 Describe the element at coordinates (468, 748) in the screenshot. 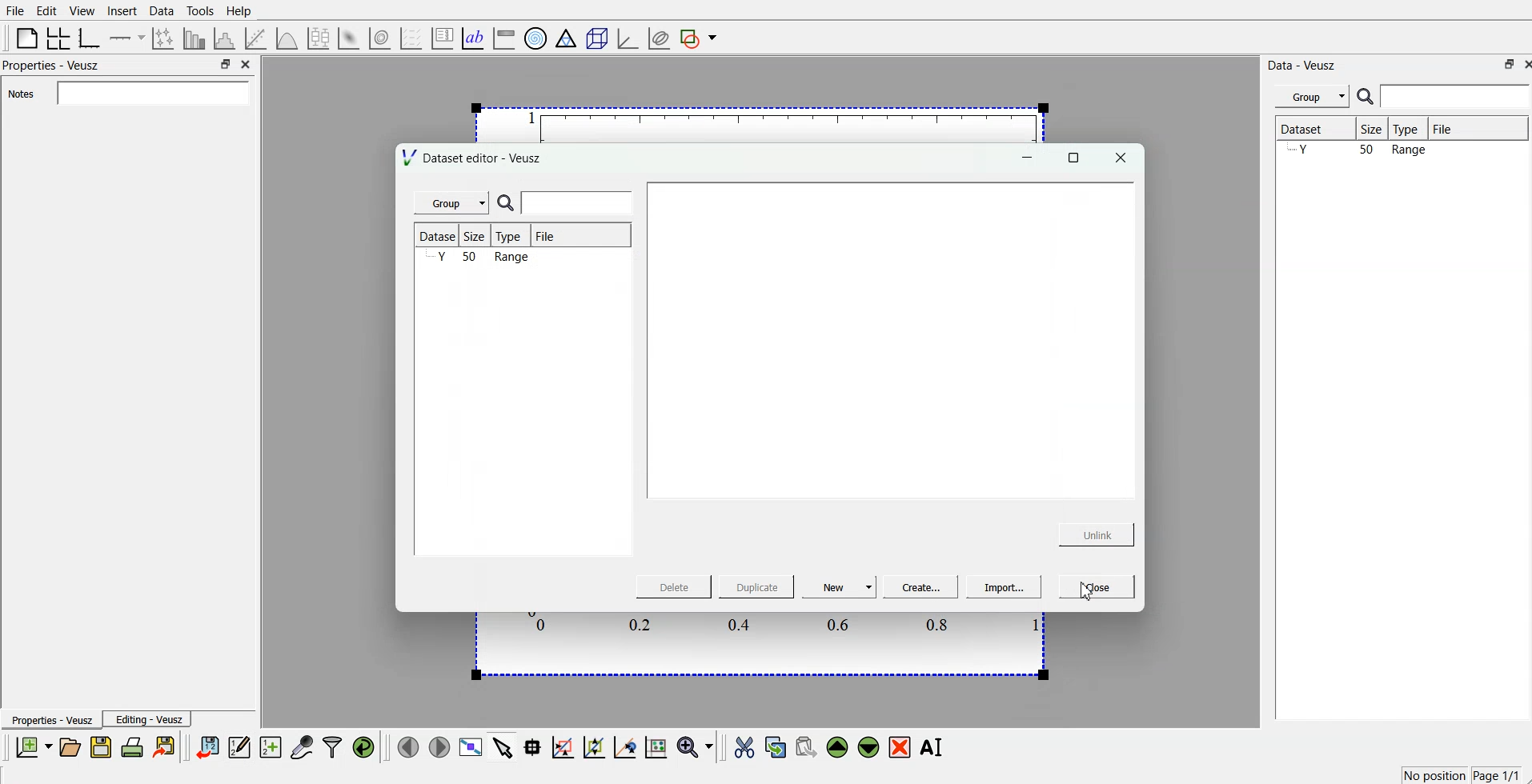

I see `view data points full screen` at that location.